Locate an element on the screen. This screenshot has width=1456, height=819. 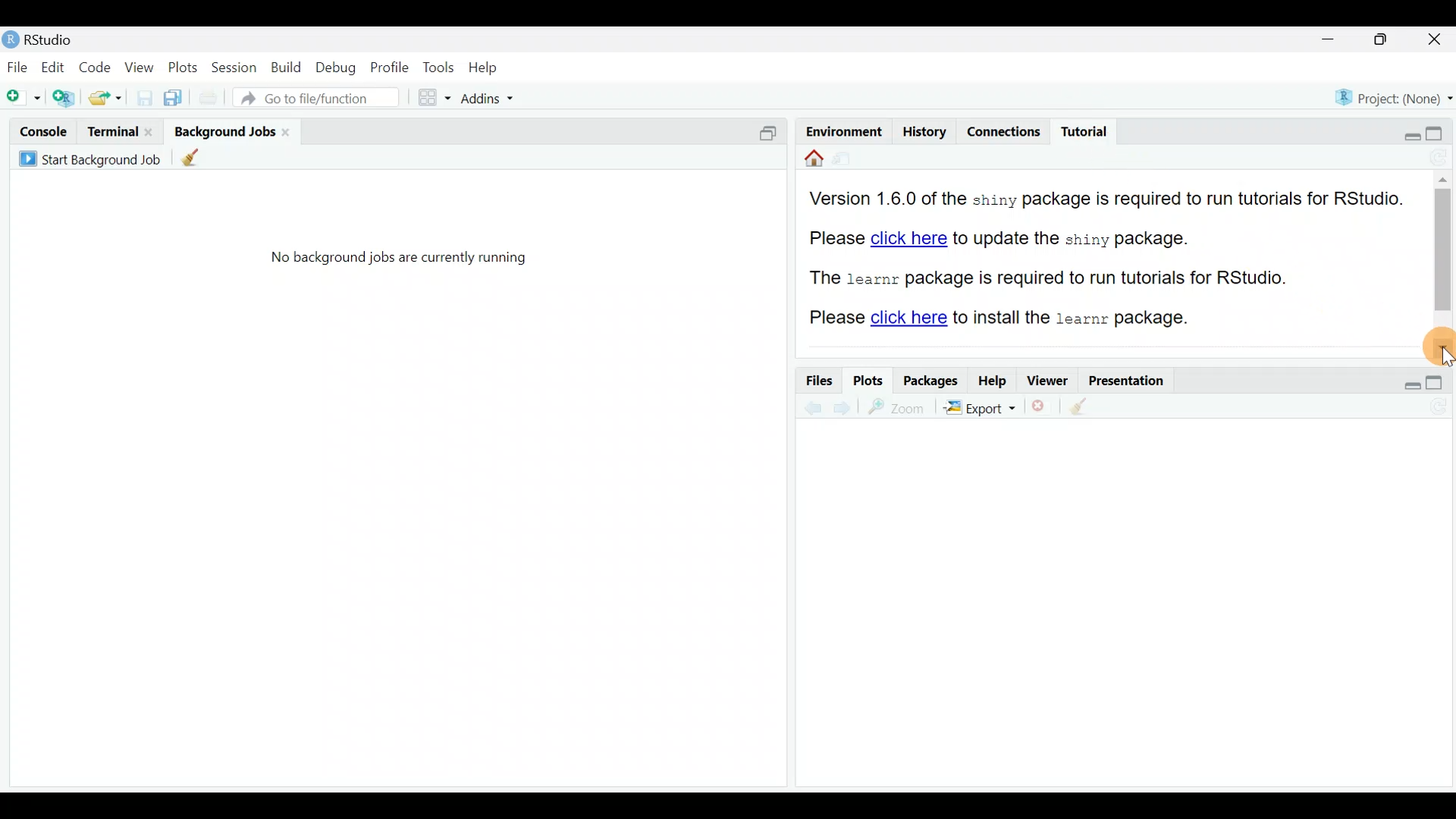
Files is located at coordinates (814, 381).